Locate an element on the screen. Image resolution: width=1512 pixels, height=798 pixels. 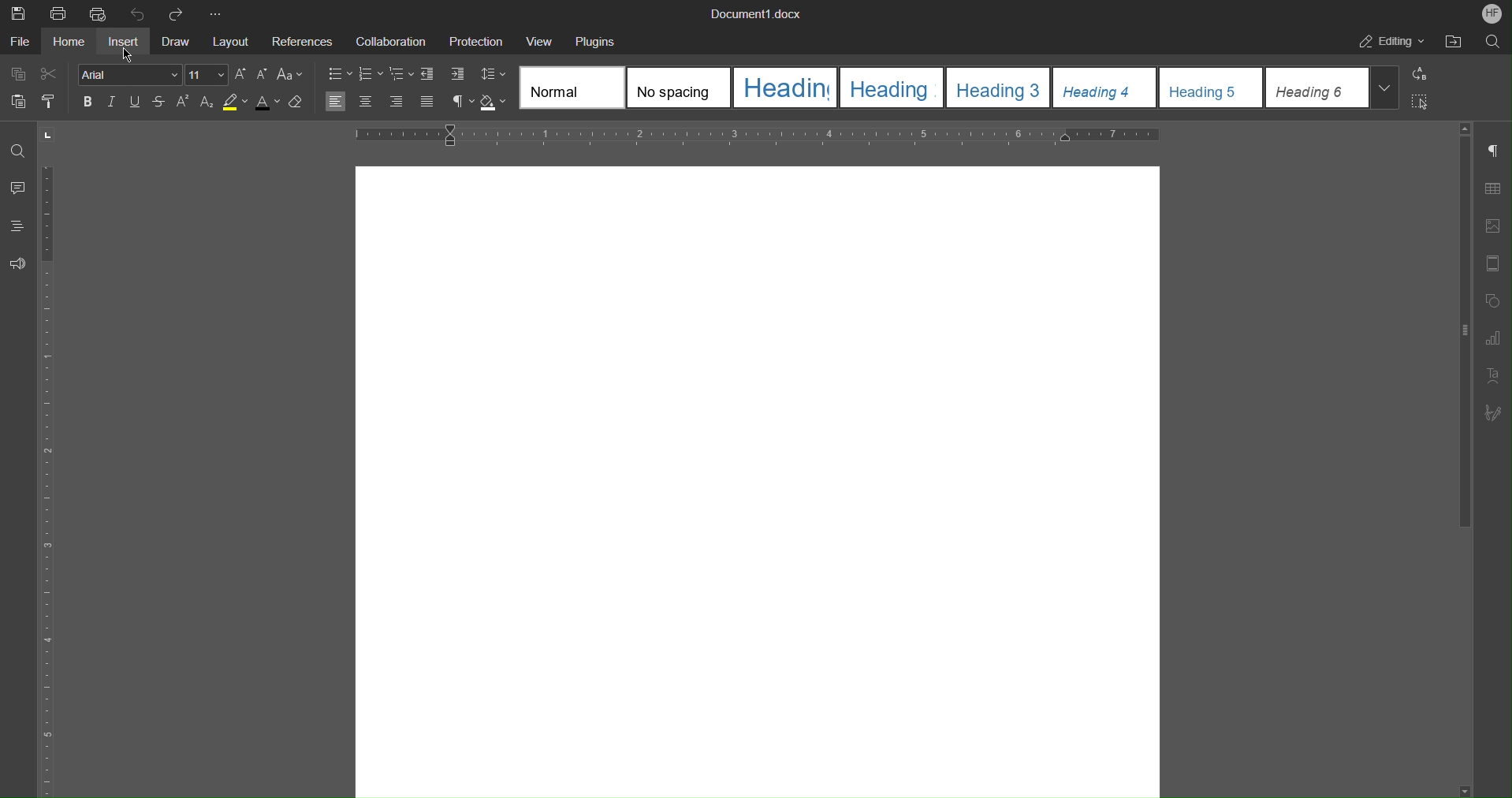
Justify is located at coordinates (425, 101).